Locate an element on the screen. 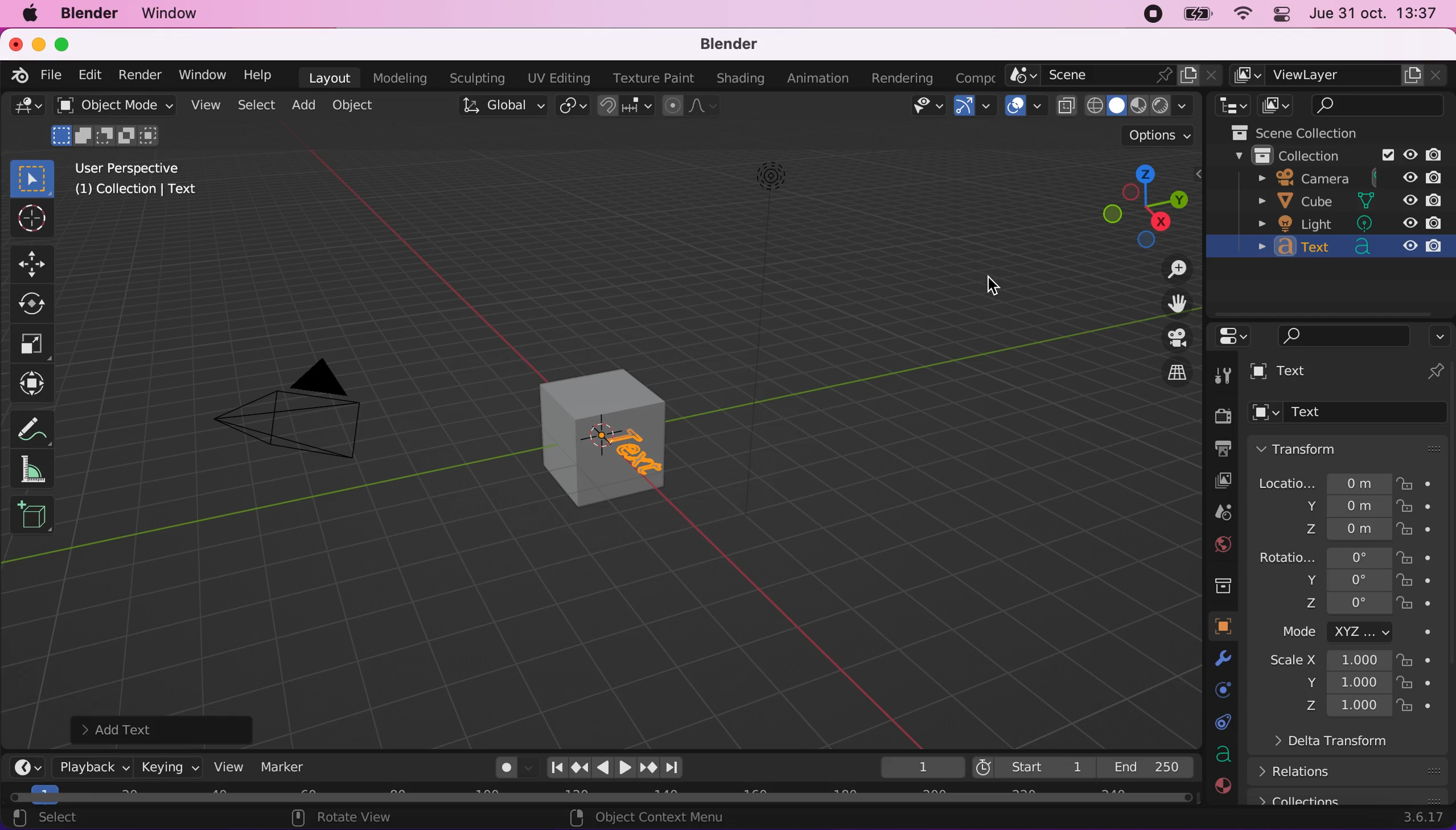 The image size is (1456, 830). search is located at coordinates (1381, 105).